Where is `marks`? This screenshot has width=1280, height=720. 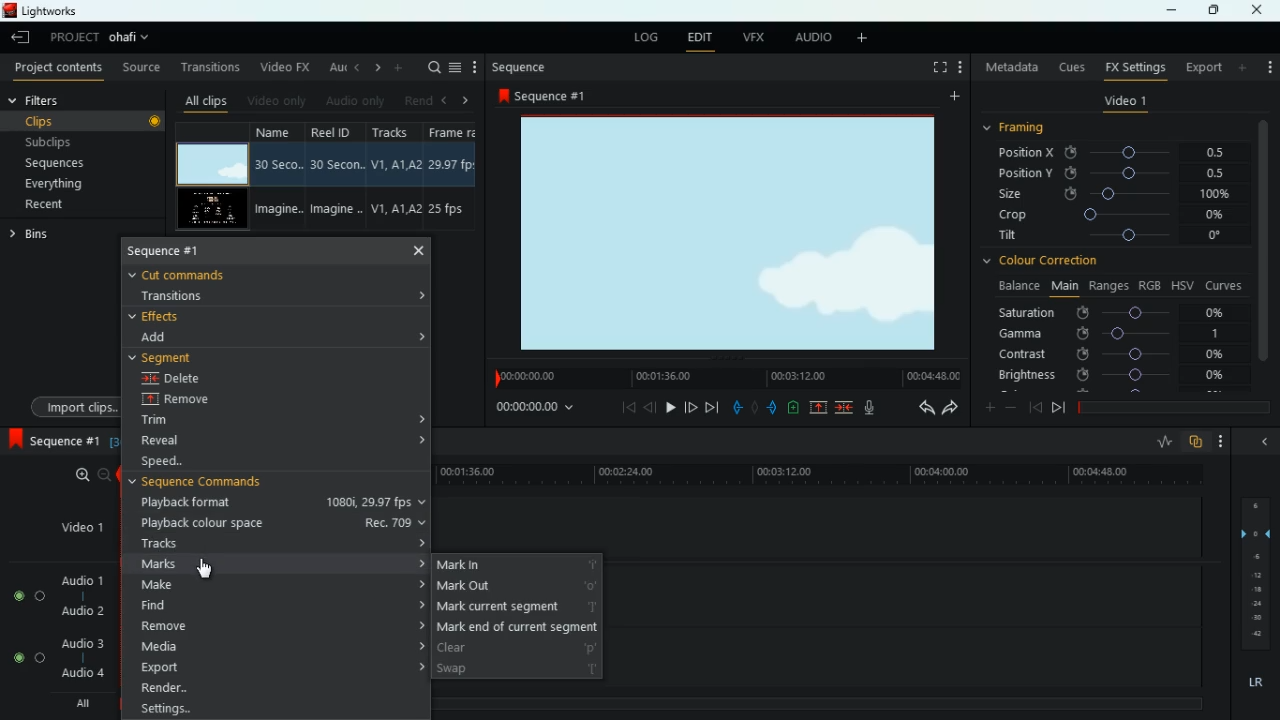
marks is located at coordinates (281, 563).